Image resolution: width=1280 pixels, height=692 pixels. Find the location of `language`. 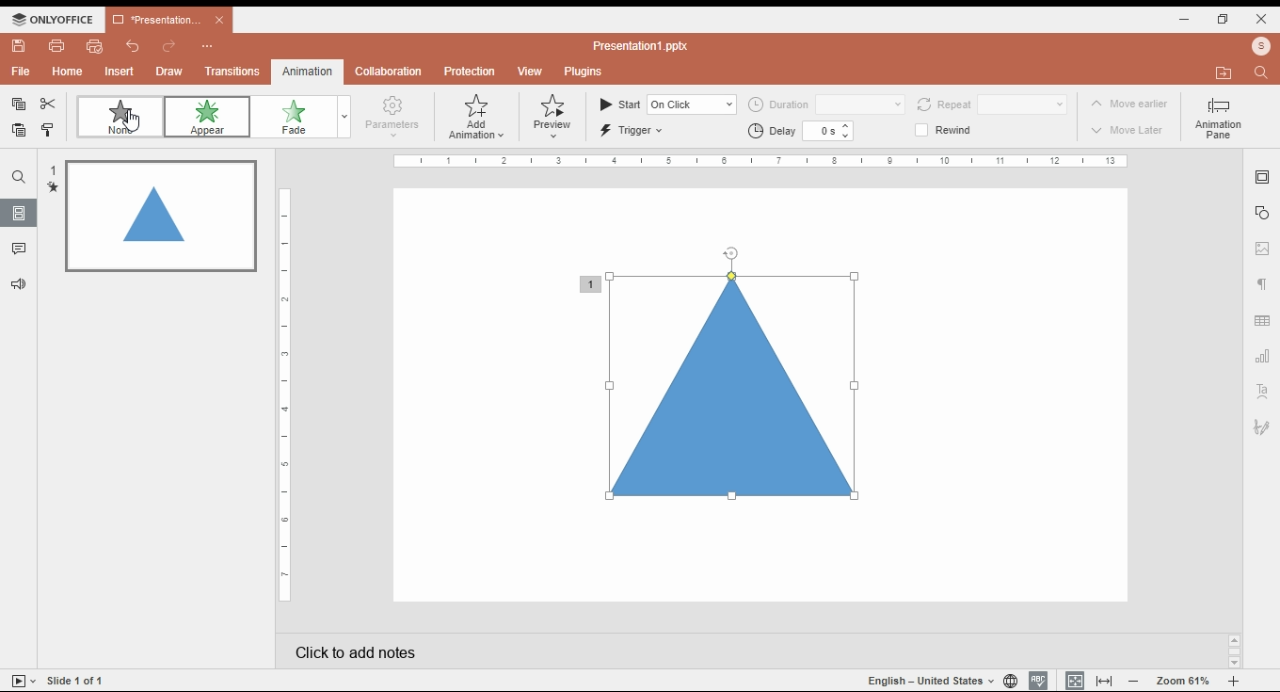

language is located at coordinates (926, 679).